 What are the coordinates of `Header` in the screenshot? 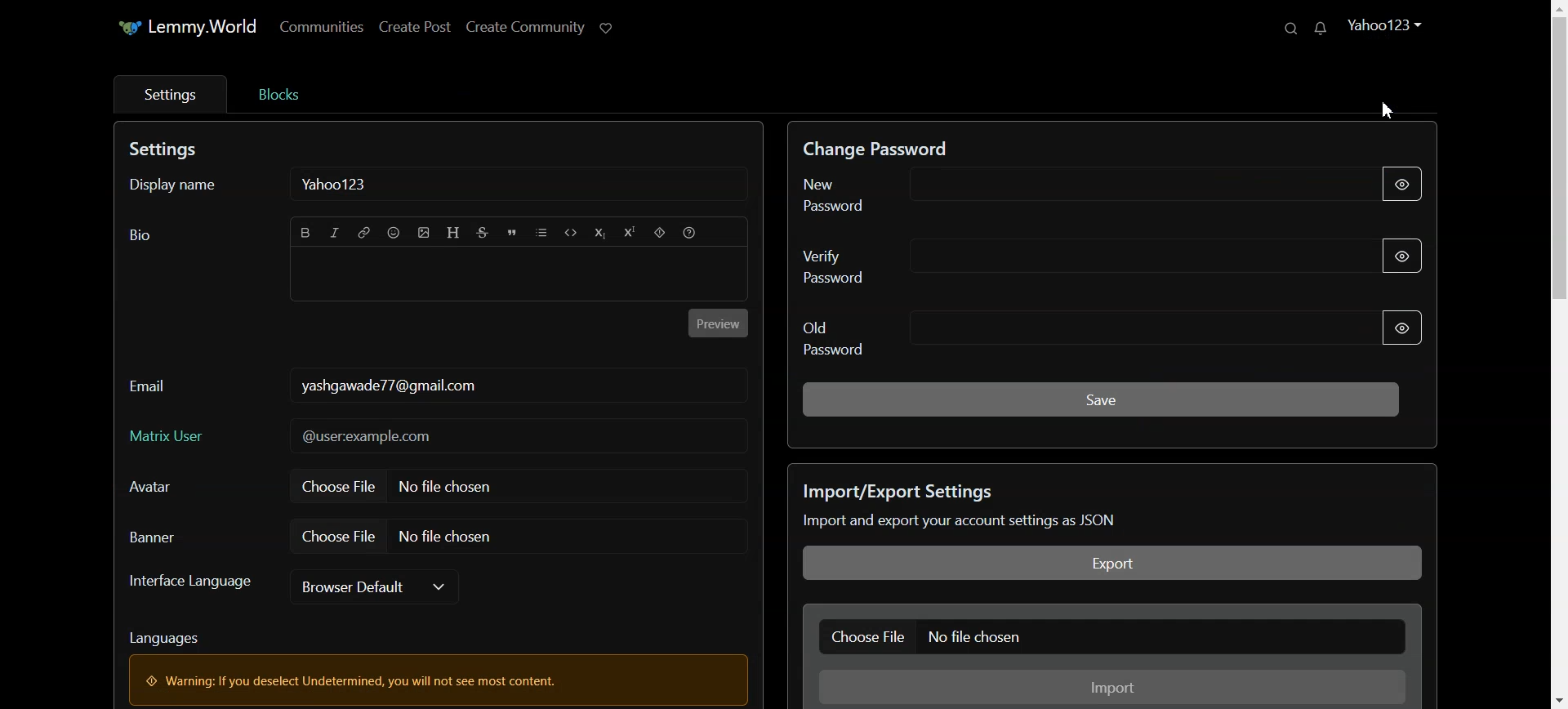 It's located at (454, 232).